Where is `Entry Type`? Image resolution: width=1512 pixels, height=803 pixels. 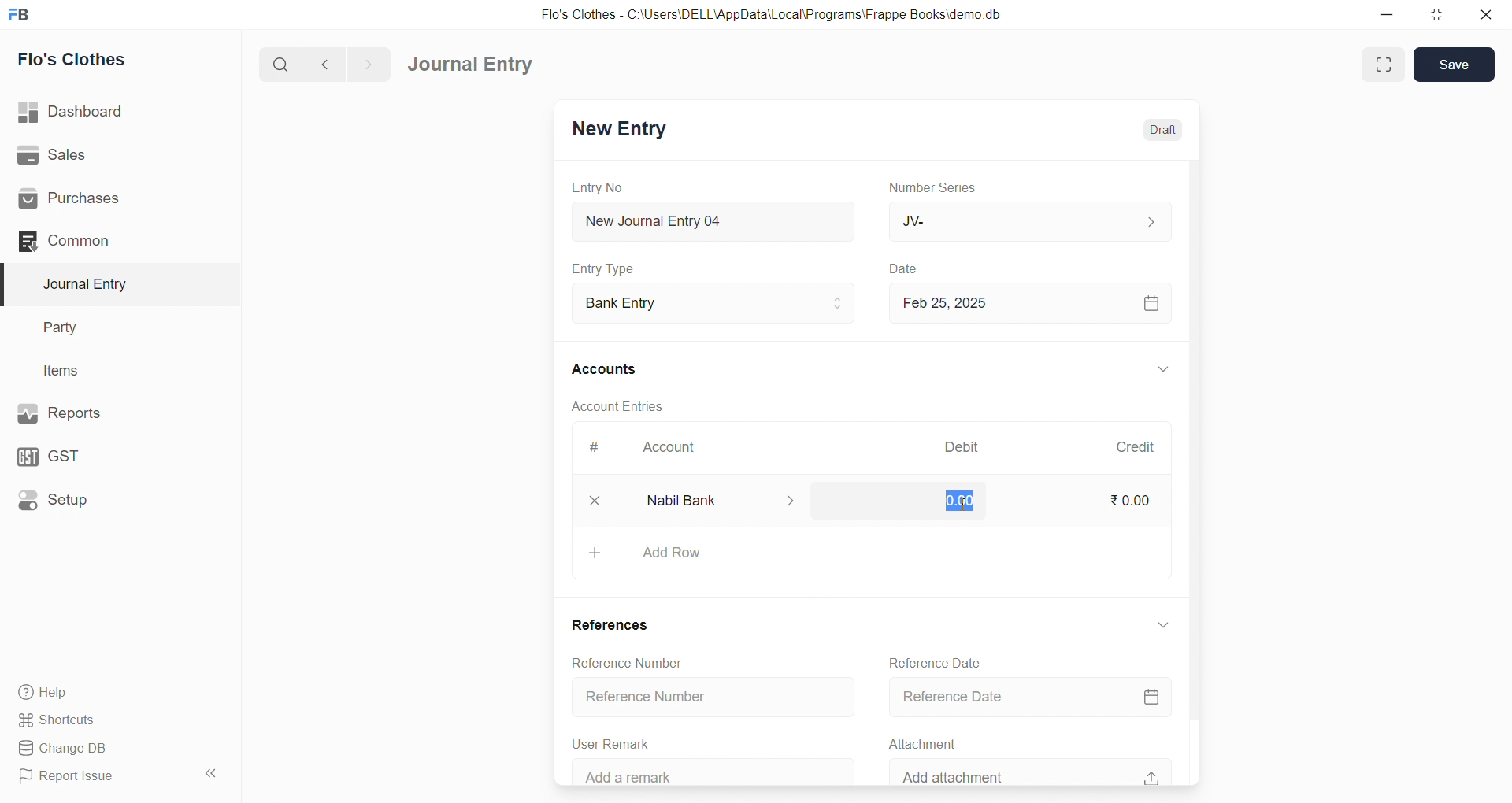
Entry Type is located at coordinates (603, 268).